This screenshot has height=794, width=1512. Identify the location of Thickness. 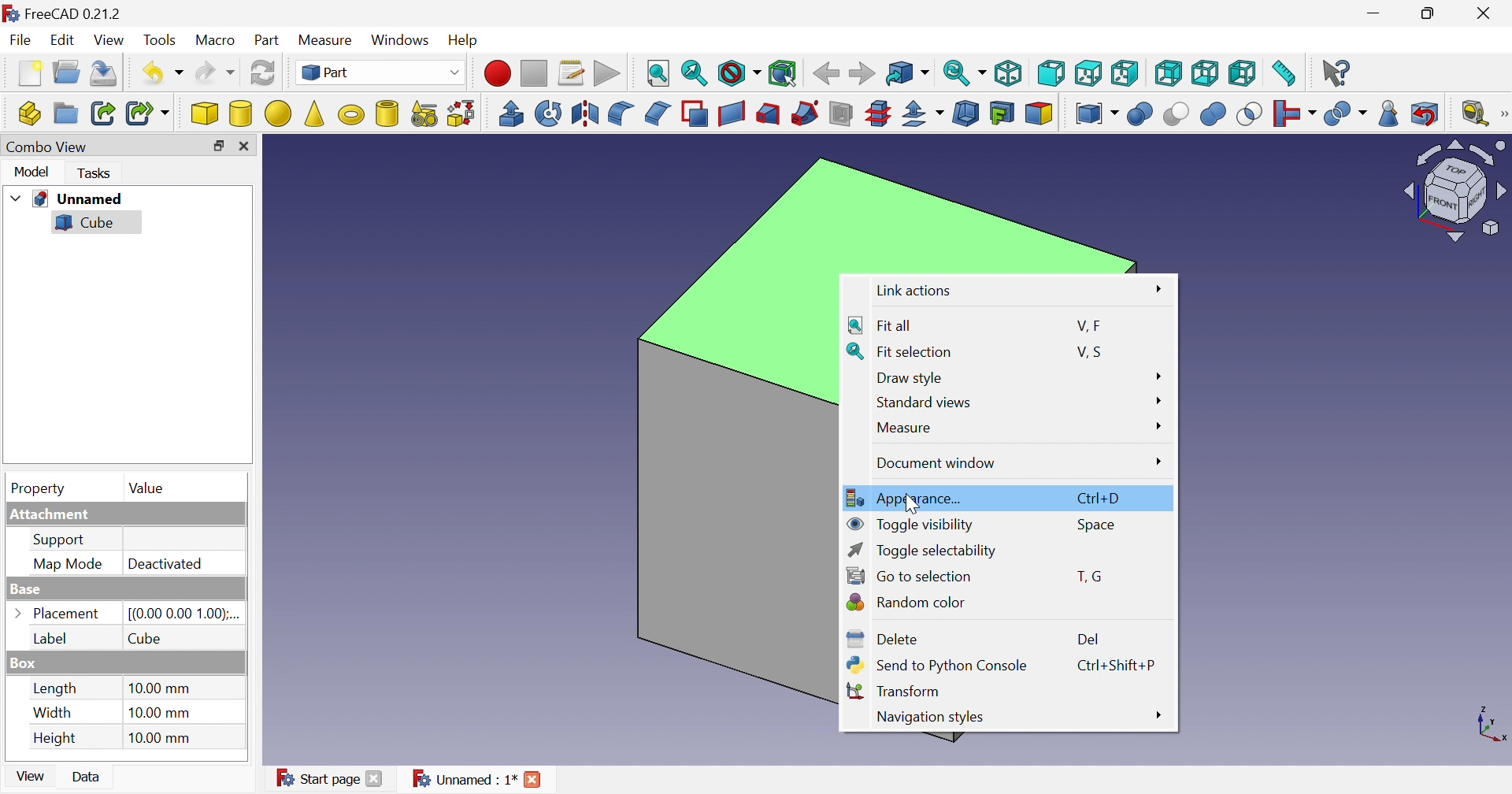
(966, 111).